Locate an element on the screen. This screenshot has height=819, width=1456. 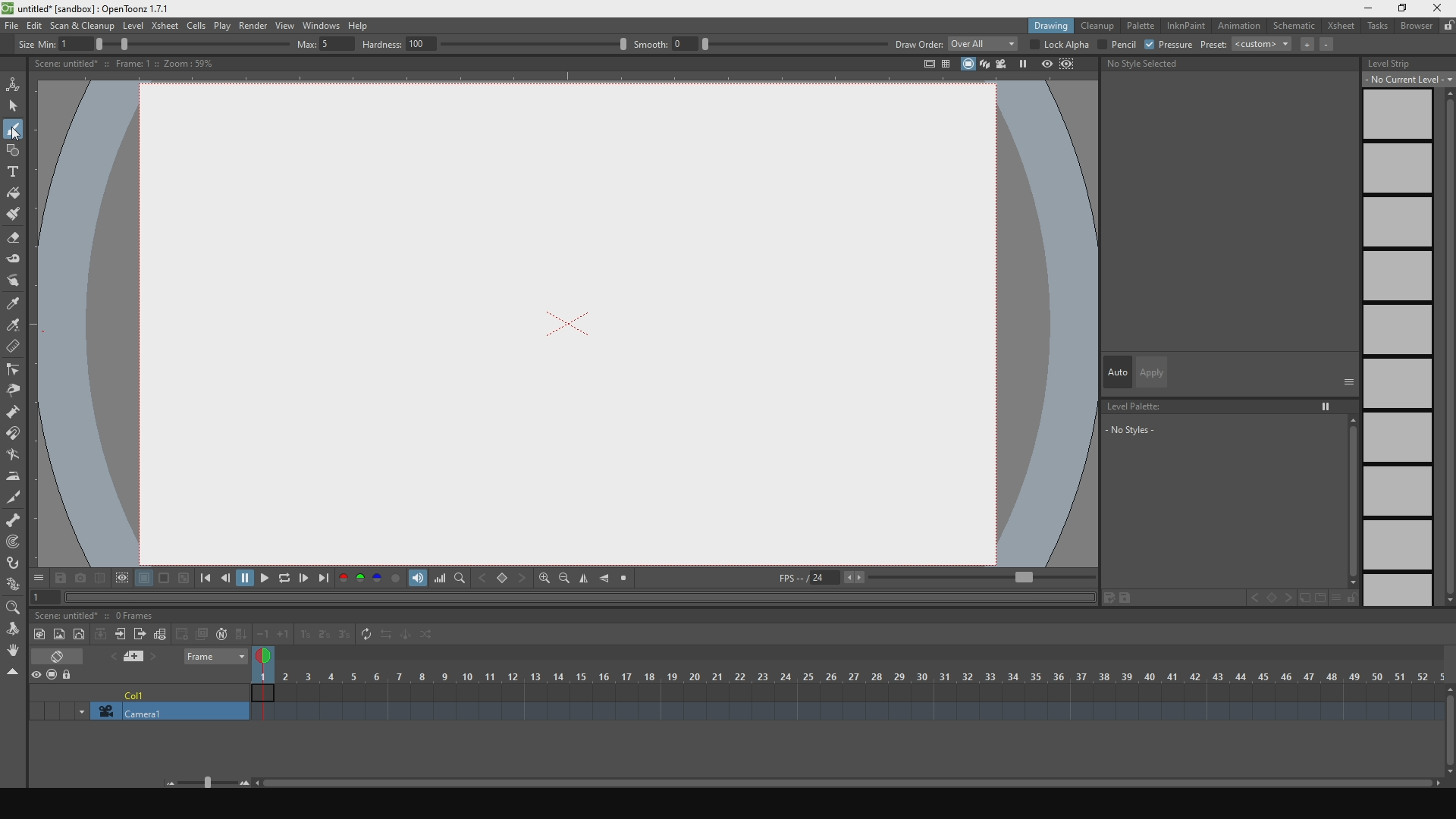
render is located at coordinates (252, 25).